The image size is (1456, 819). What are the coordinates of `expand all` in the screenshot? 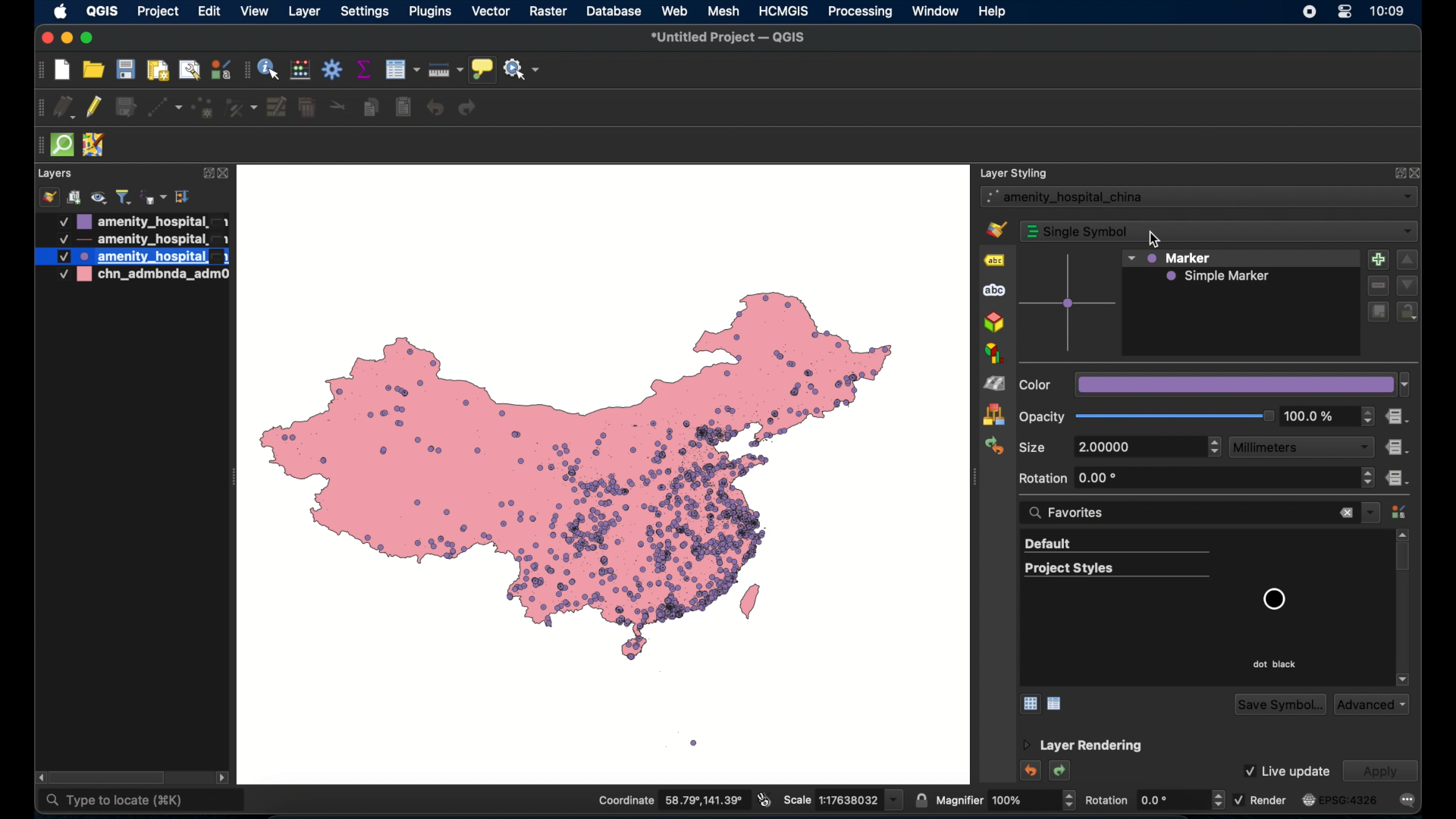 It's located at (184, 197).